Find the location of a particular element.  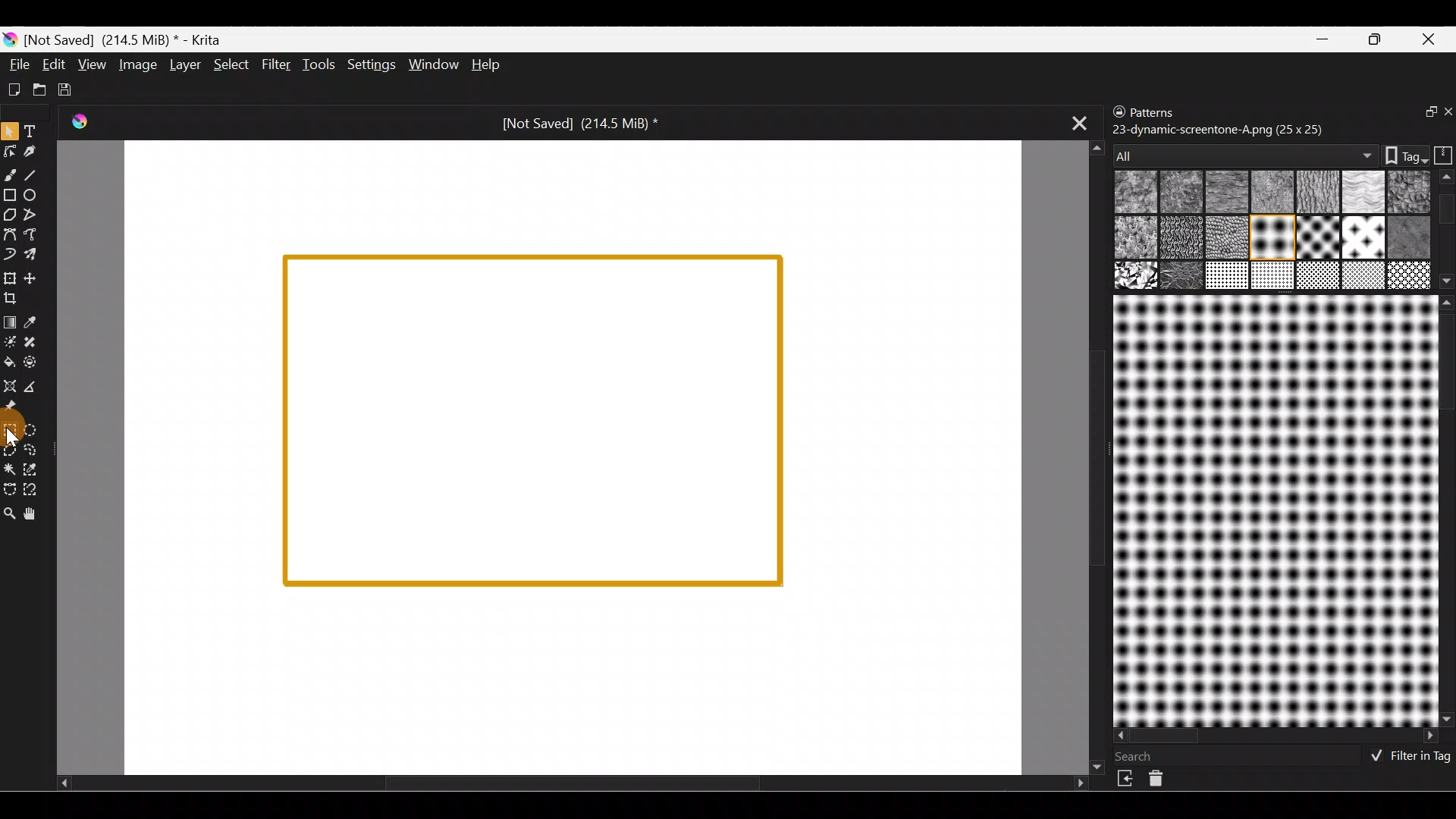

Layer is located at coordinates (184, 64).